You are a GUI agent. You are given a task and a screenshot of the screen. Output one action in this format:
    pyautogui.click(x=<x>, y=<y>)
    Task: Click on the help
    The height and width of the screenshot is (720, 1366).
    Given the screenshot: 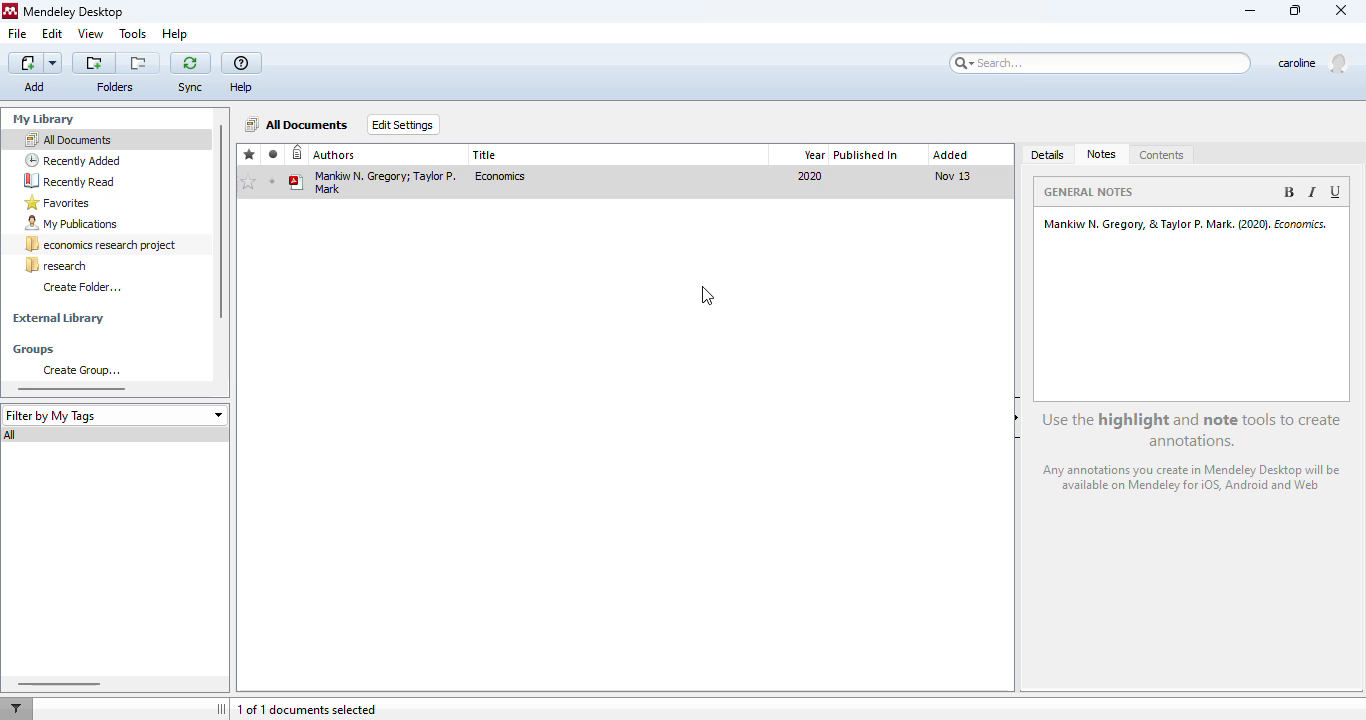 What is the action you would take?
    pyautogui.click(x=175, y=34)
    